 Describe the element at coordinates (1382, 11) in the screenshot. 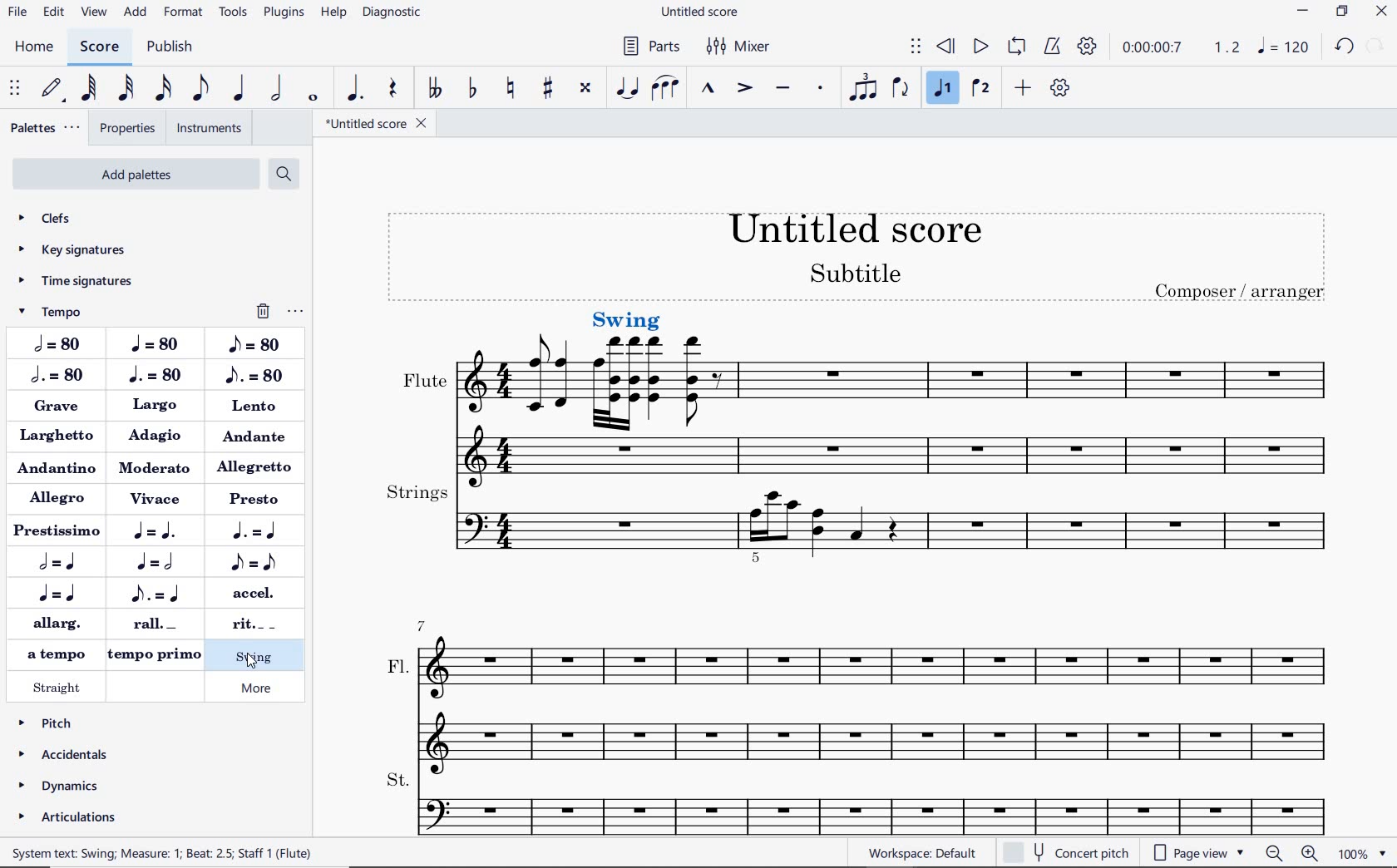

I see `close` at that location.